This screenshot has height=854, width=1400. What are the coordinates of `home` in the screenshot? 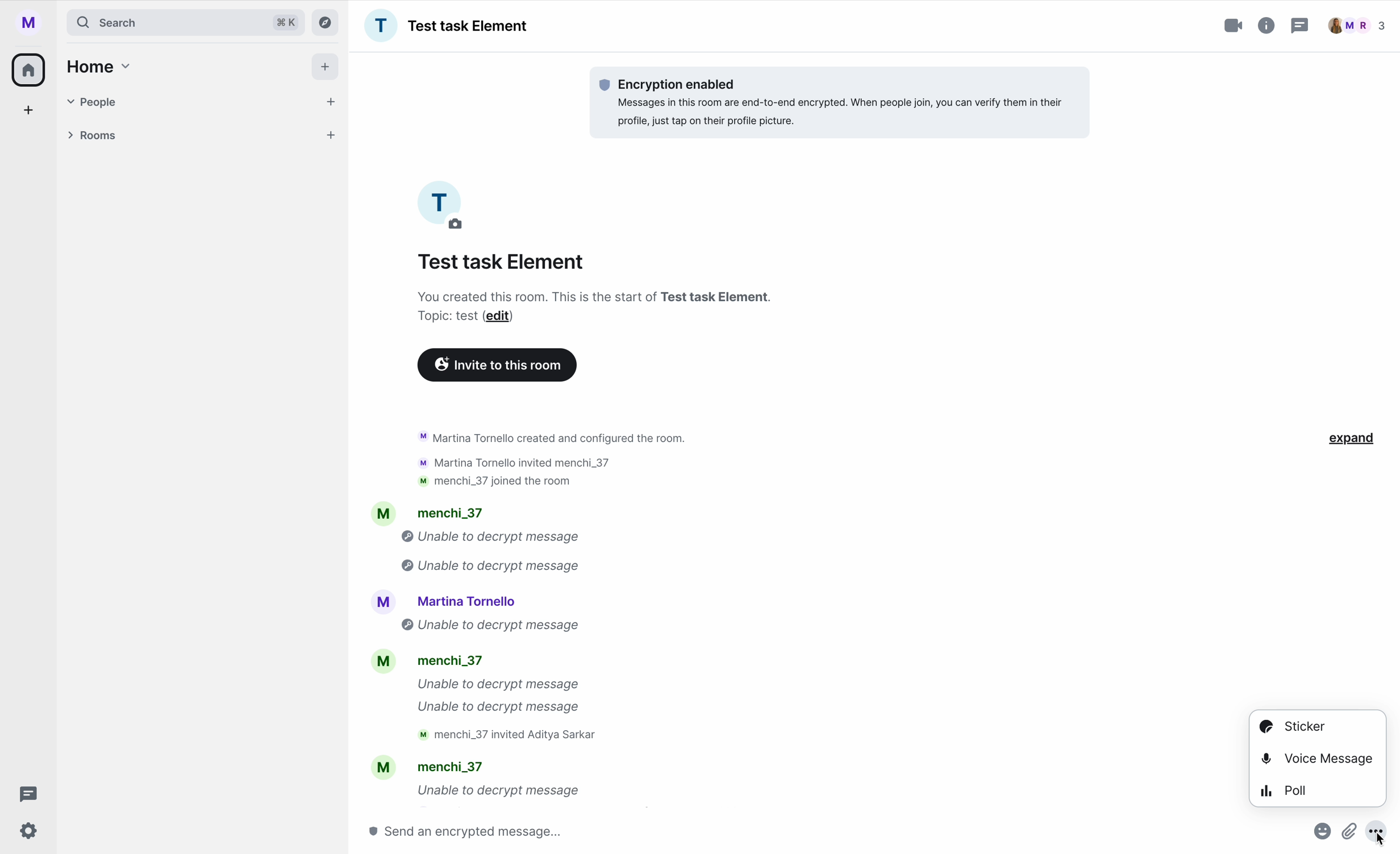 It's located at (30, 69).